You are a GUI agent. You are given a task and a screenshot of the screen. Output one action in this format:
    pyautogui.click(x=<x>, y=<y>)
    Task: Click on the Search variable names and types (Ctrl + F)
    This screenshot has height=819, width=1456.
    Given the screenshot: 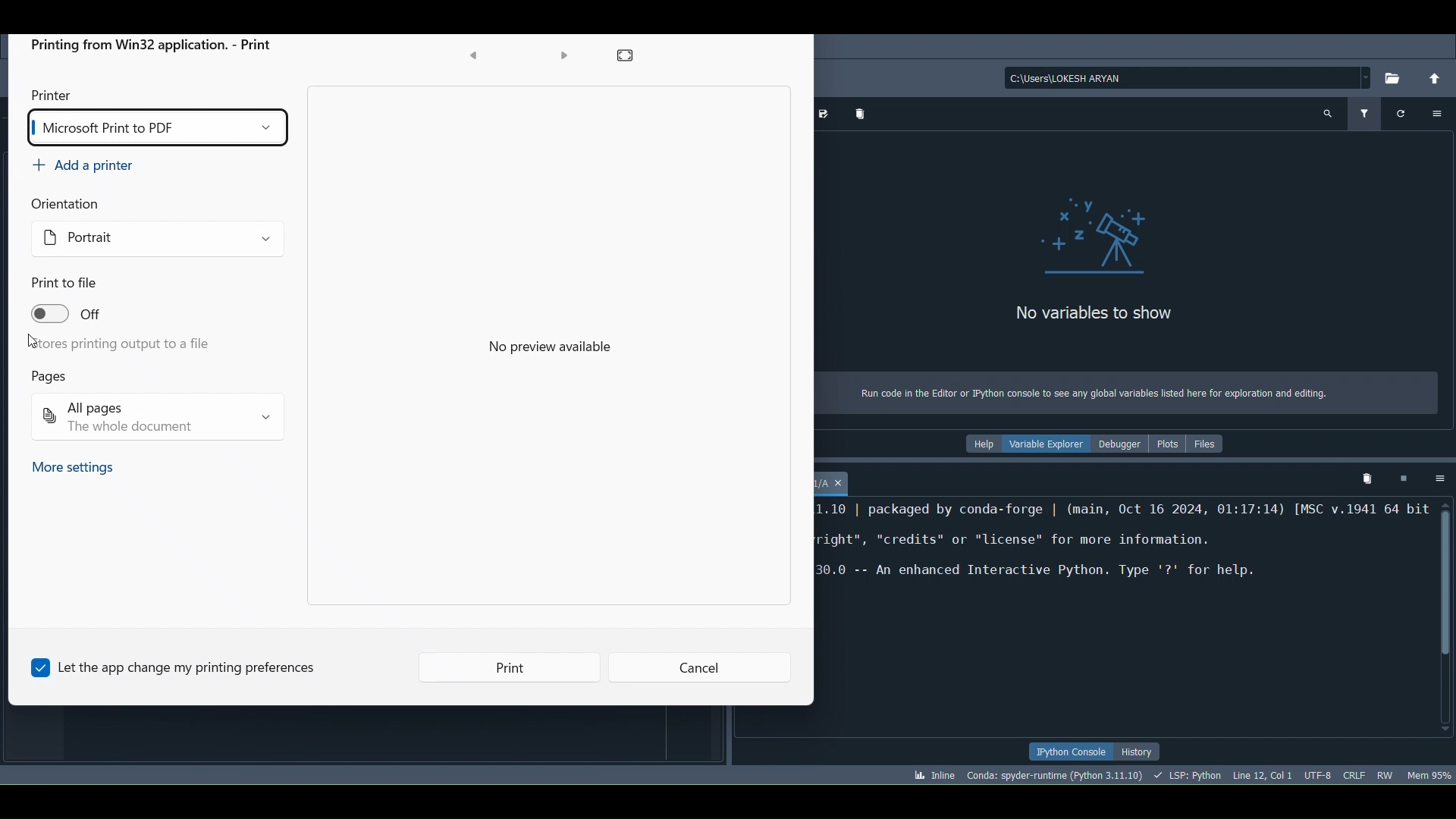 What is the action you would take?
    pyautogui.click(x=1328, y=114)
    